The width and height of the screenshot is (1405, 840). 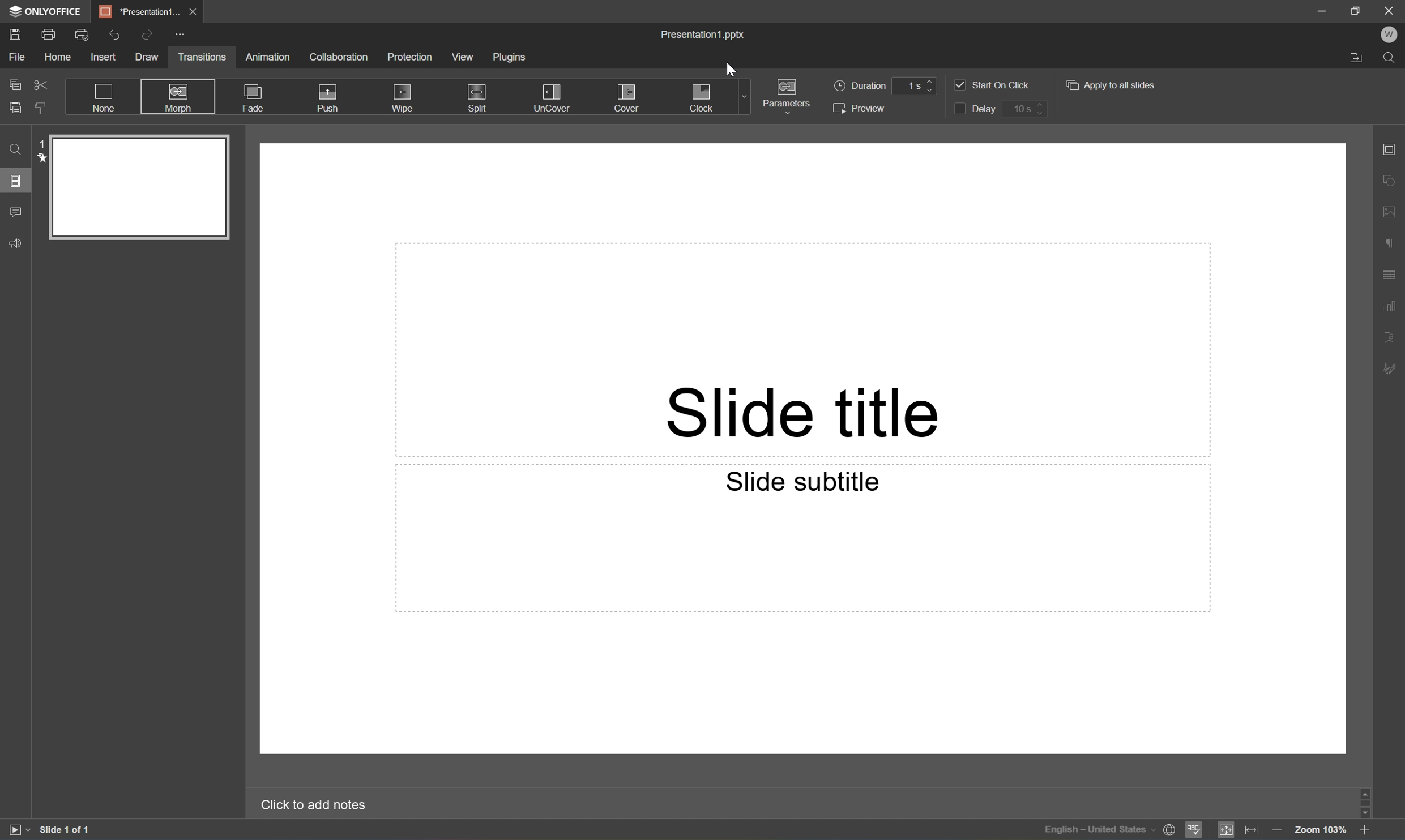 I want to click on Close, so click(x=1389, y=10).